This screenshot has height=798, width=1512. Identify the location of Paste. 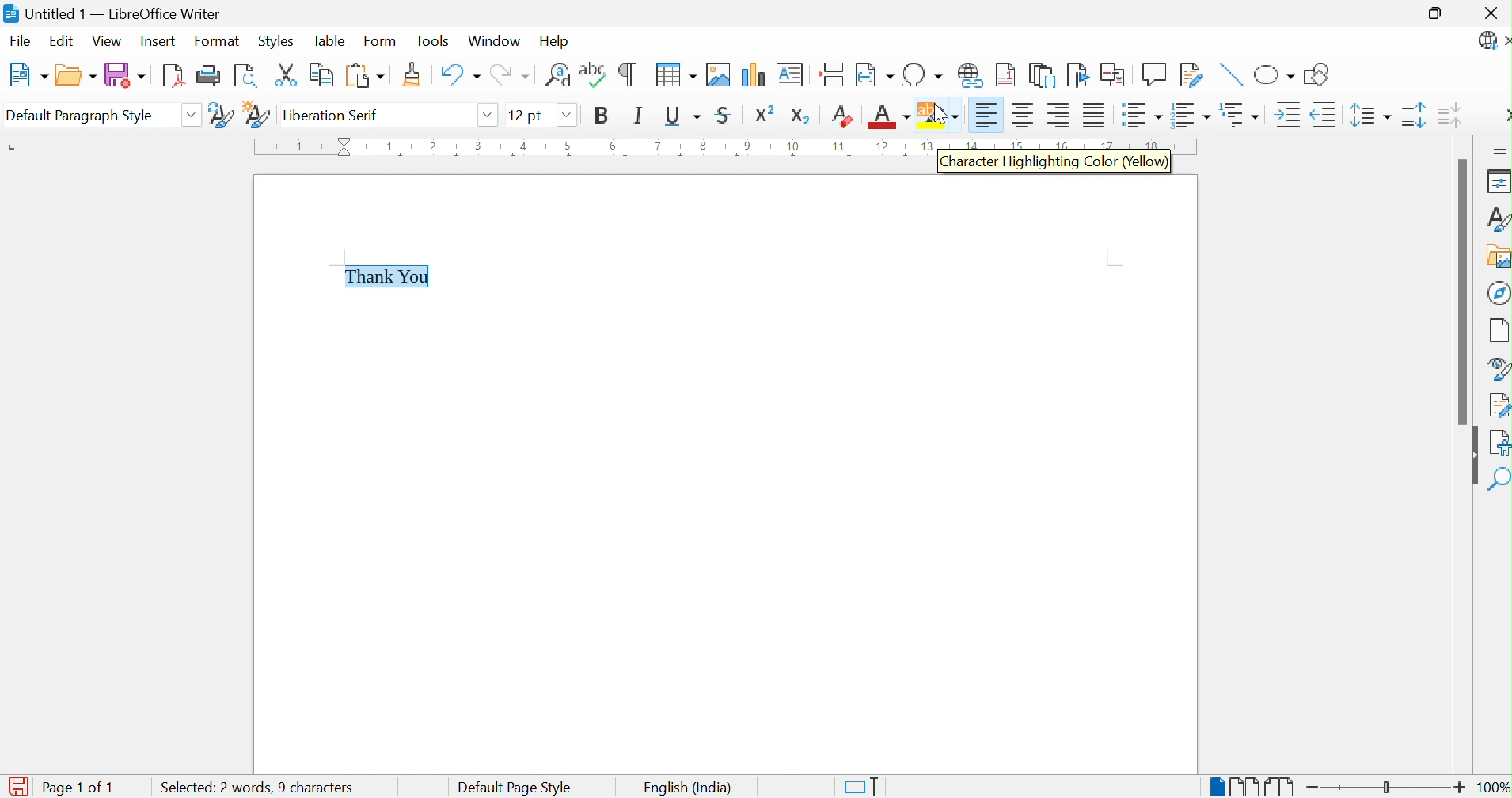
(365, 76).